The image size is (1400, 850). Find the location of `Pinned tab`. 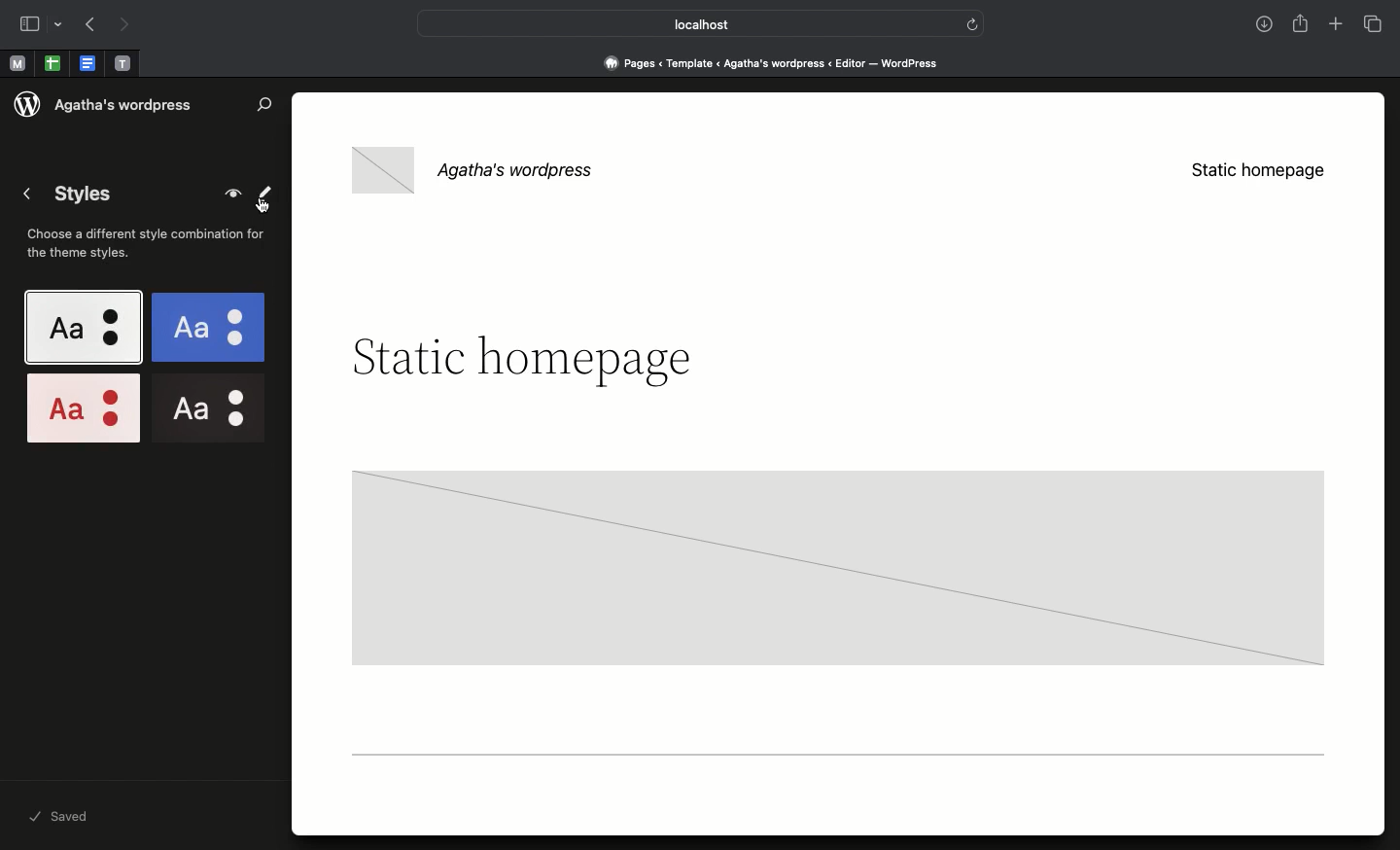

Pinned tab is located at coordinates (123, 64).